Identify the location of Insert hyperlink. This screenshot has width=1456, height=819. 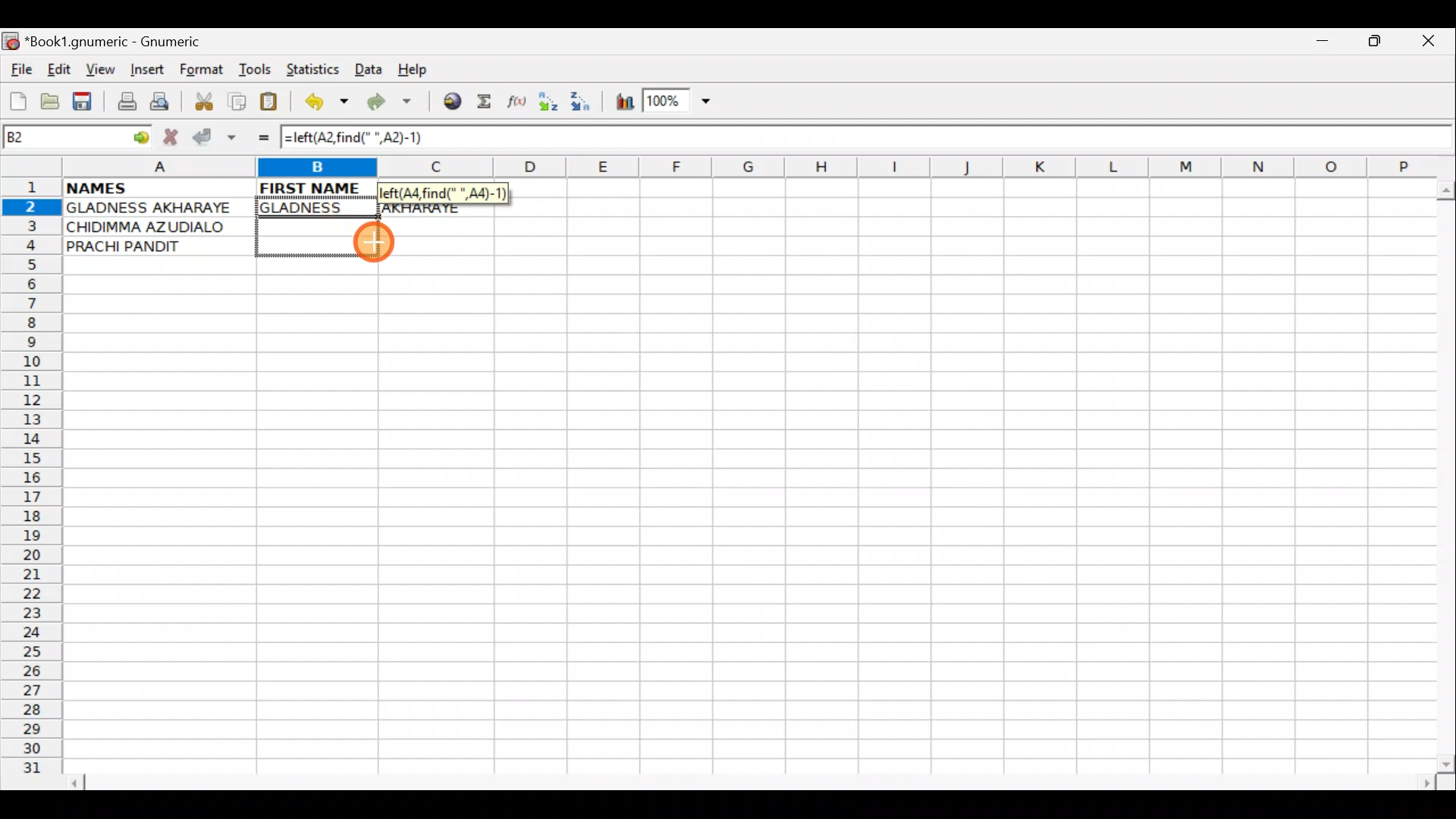
(450, 102).